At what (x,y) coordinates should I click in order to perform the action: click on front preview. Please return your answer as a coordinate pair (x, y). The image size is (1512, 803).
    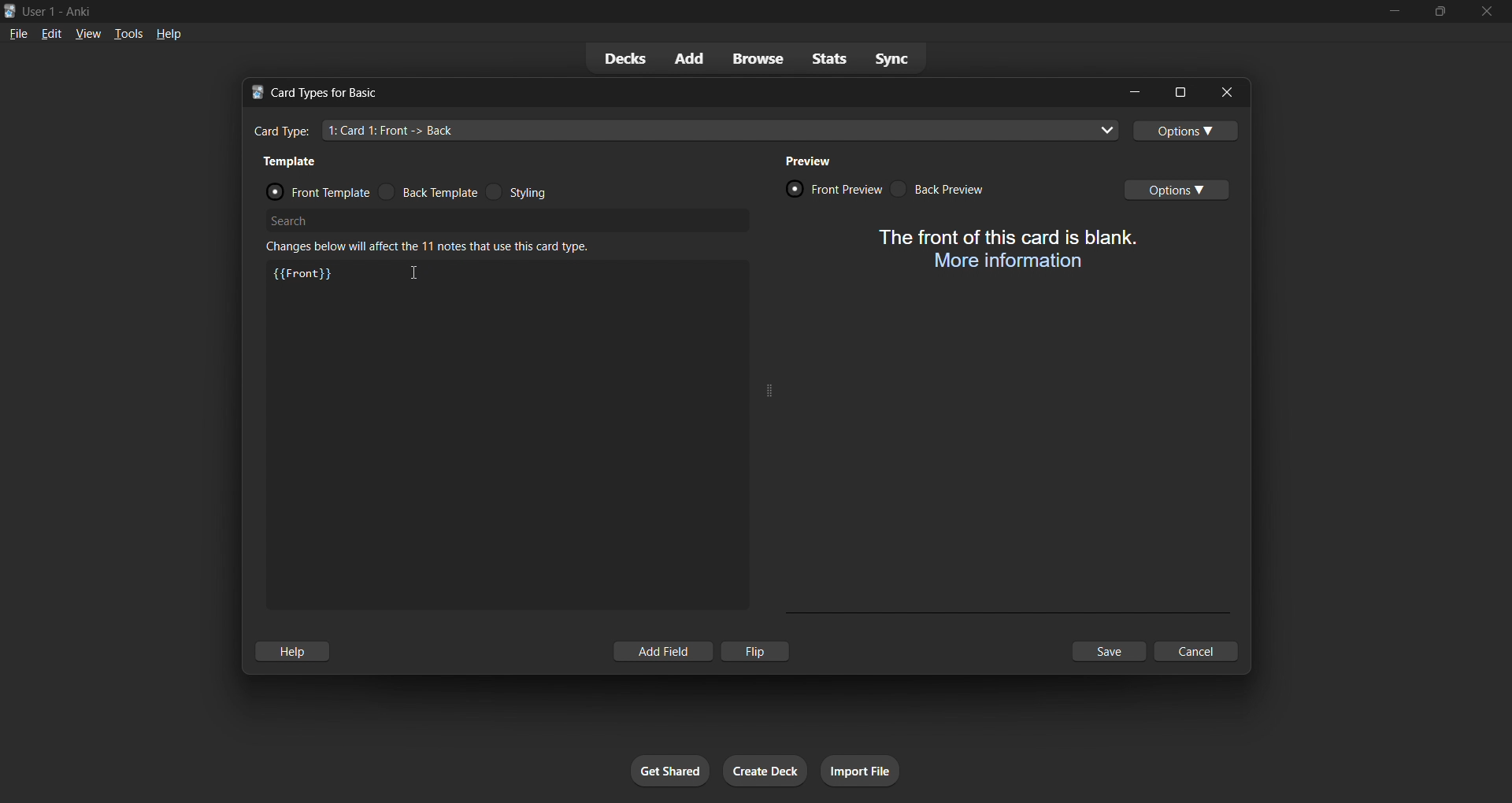
    Looking at the image, I should click on (832, 187).